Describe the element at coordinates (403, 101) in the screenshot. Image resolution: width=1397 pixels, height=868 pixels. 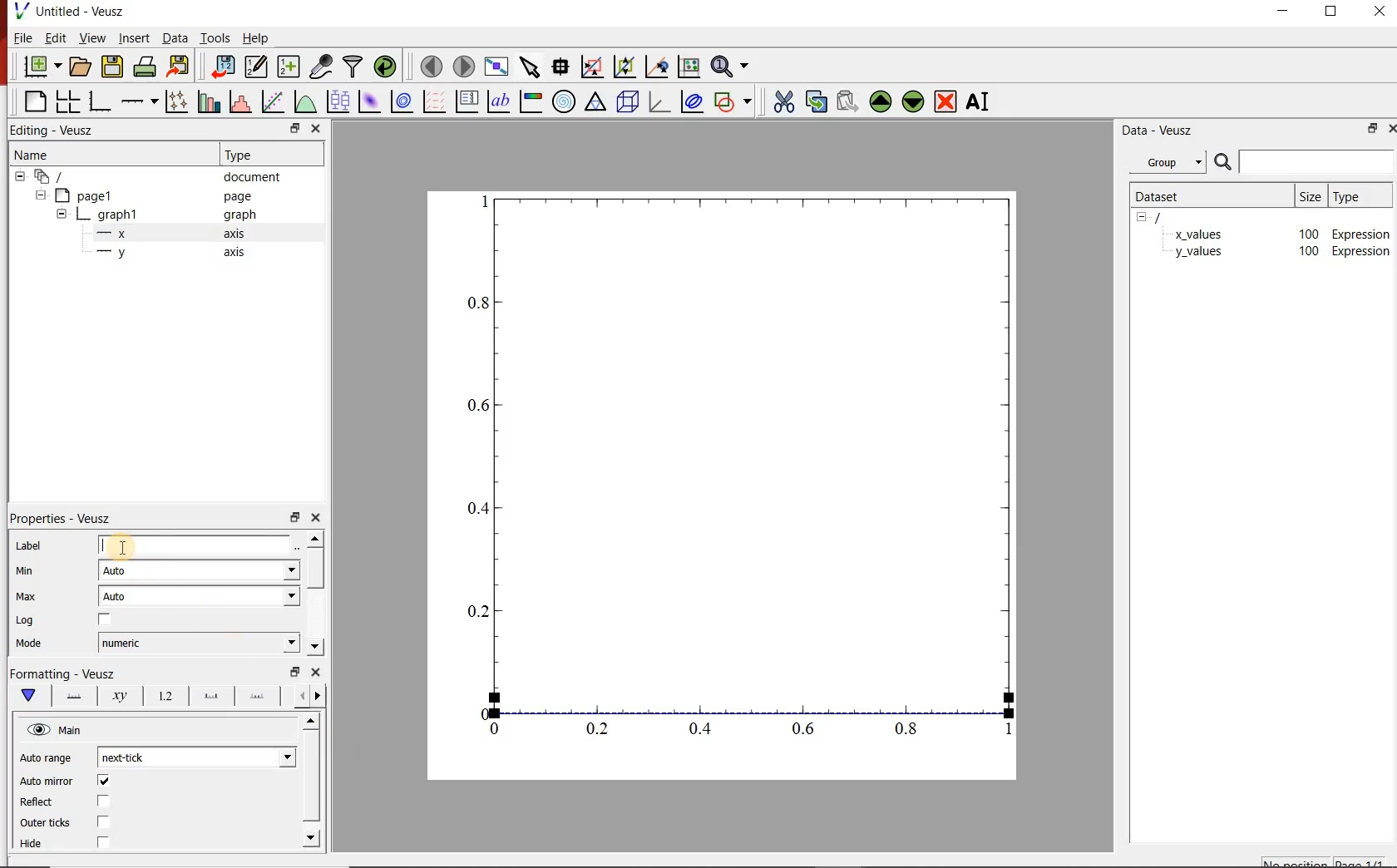
I see `plot 2d dataset as contours` at that location.